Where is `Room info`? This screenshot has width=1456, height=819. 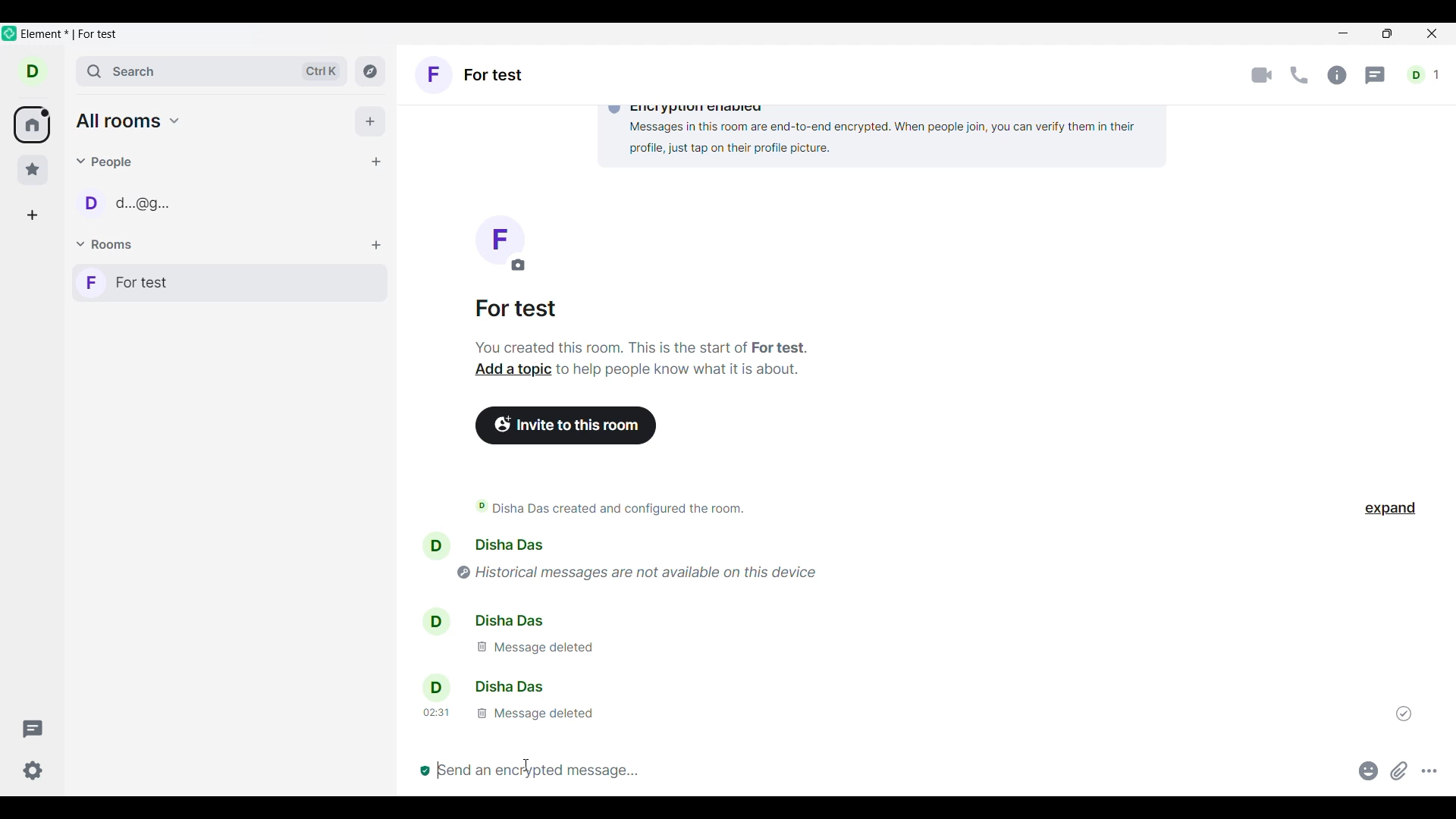
Room info is located at coordinates (1337, 75).